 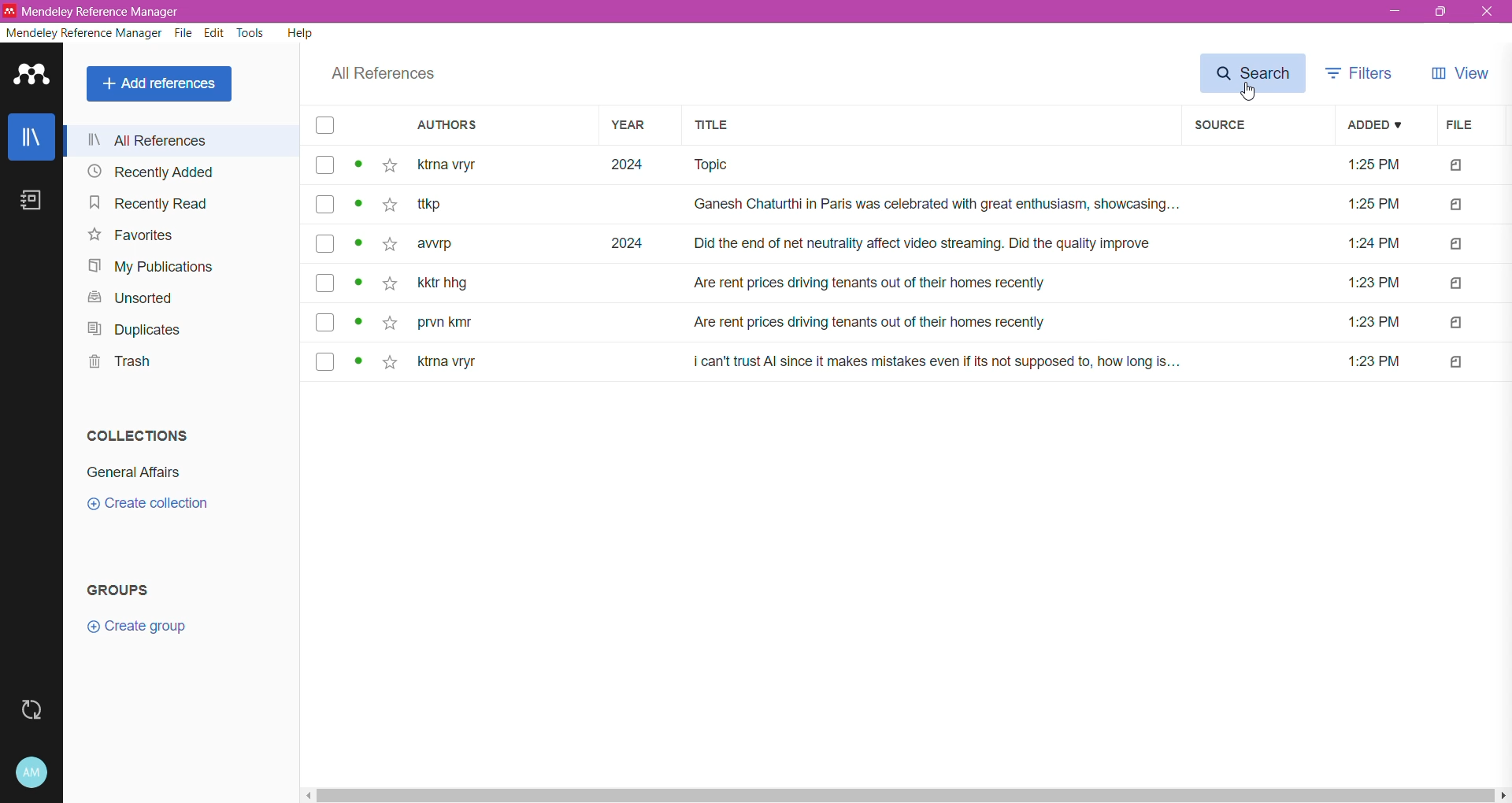 What do you see at coordinates (1456, 206) in the screenshot?
I see `file type` at bounding box center [1456, 206].